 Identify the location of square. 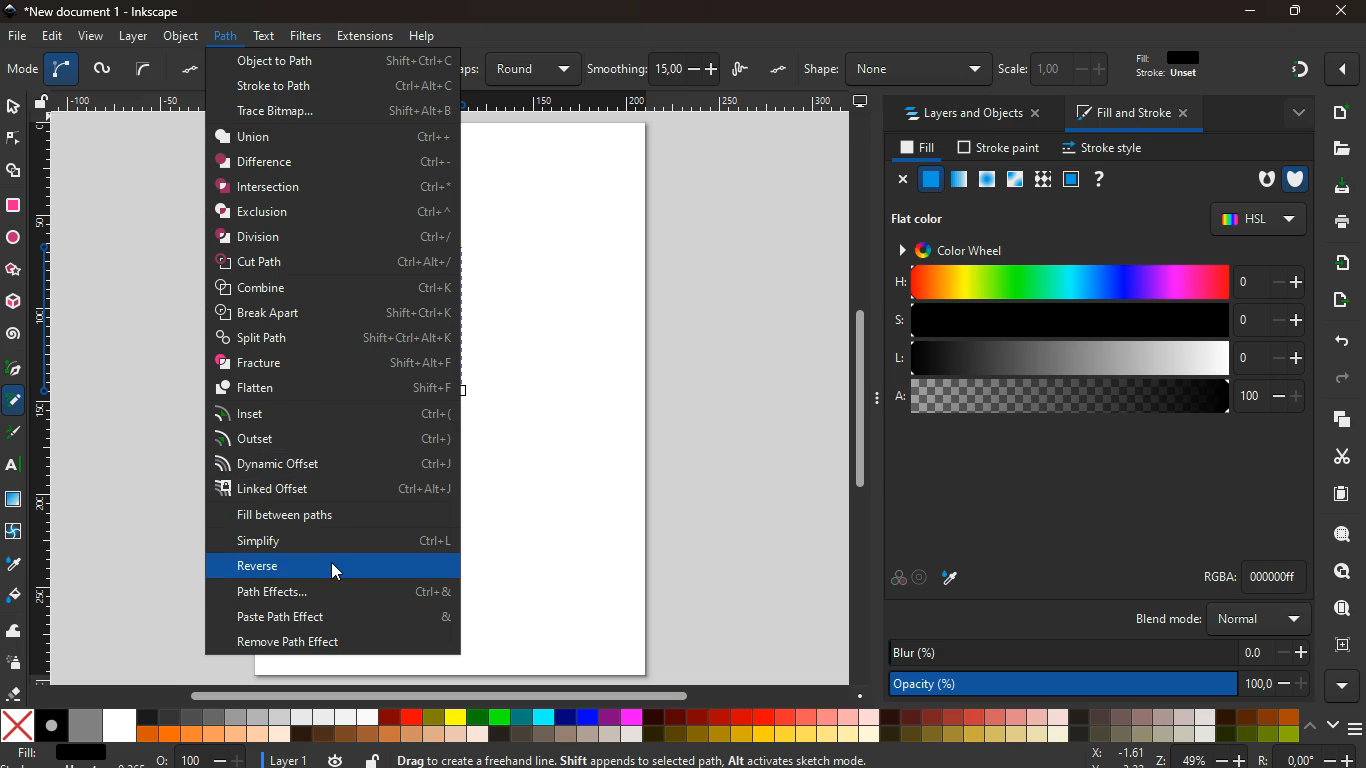
(1071, 181).